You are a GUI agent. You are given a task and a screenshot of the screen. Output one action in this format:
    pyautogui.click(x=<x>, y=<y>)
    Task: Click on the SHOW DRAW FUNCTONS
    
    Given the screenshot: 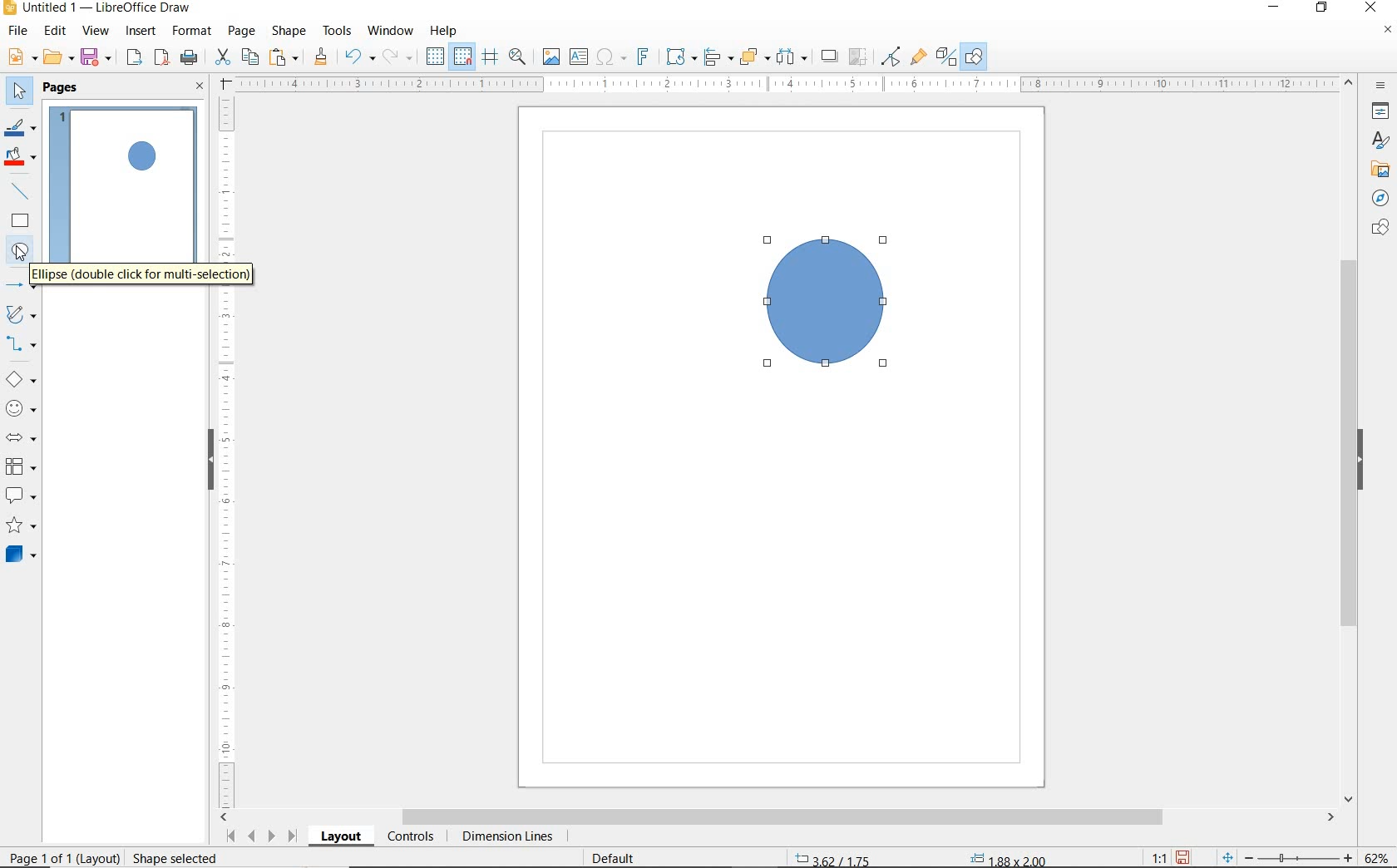 What is the action you would take?
    pyautogui.click(x=974, y=57)
    